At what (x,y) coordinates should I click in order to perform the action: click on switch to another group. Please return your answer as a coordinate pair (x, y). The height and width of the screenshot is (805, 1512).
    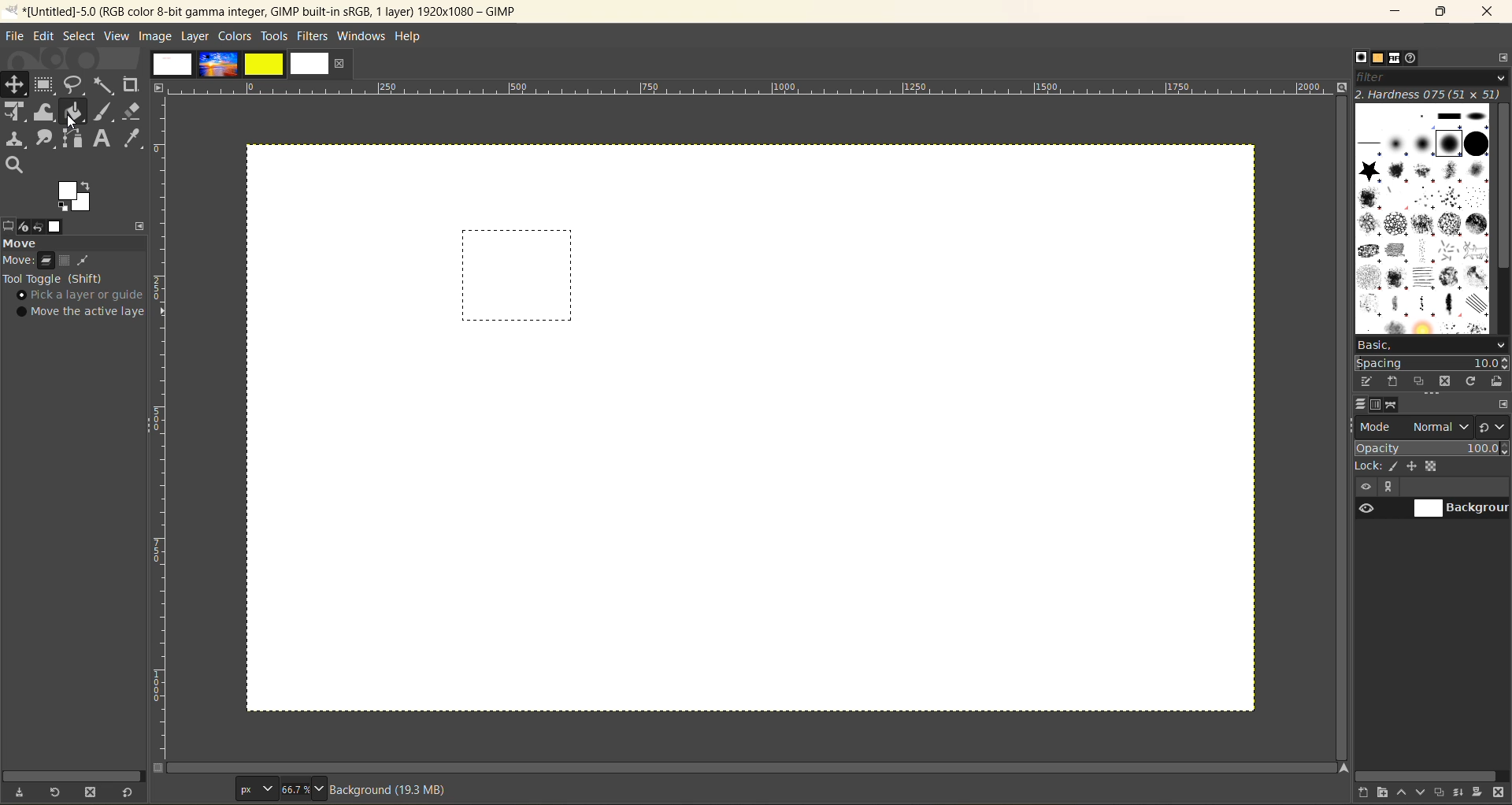
    Looking at the image, I should click on (1494, 426).